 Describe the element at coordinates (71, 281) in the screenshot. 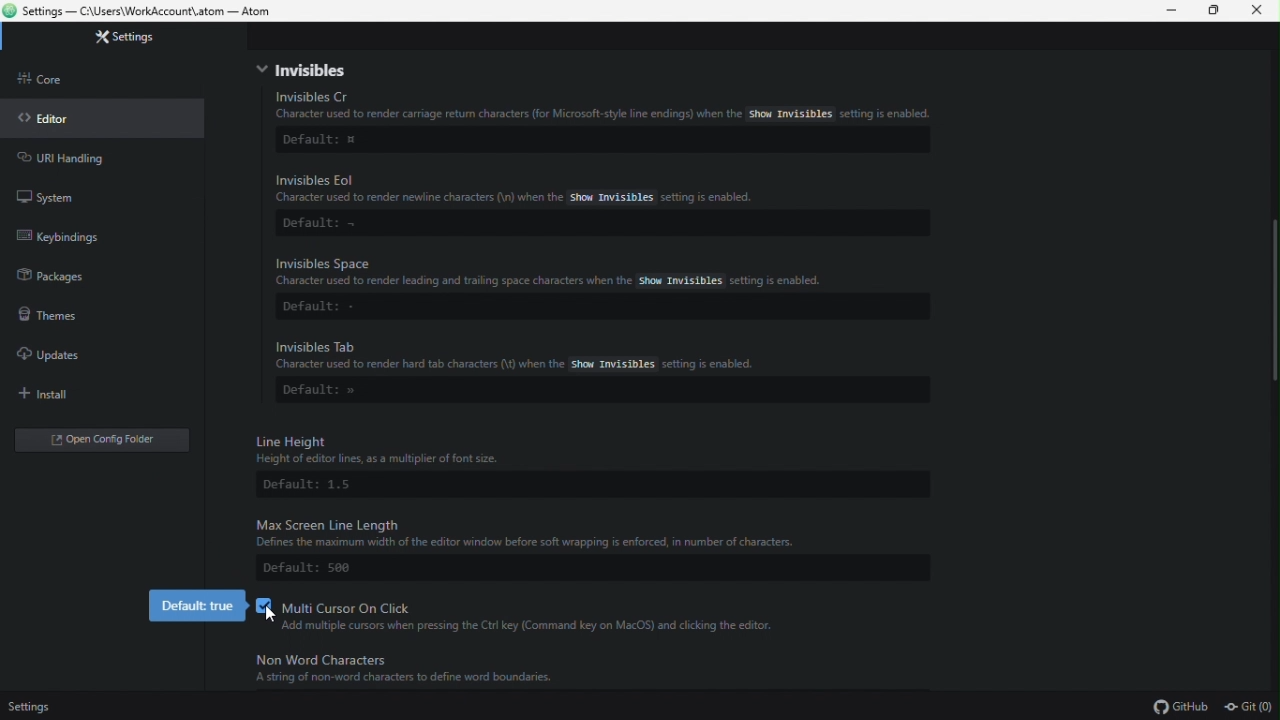

I see `Package` at that location.